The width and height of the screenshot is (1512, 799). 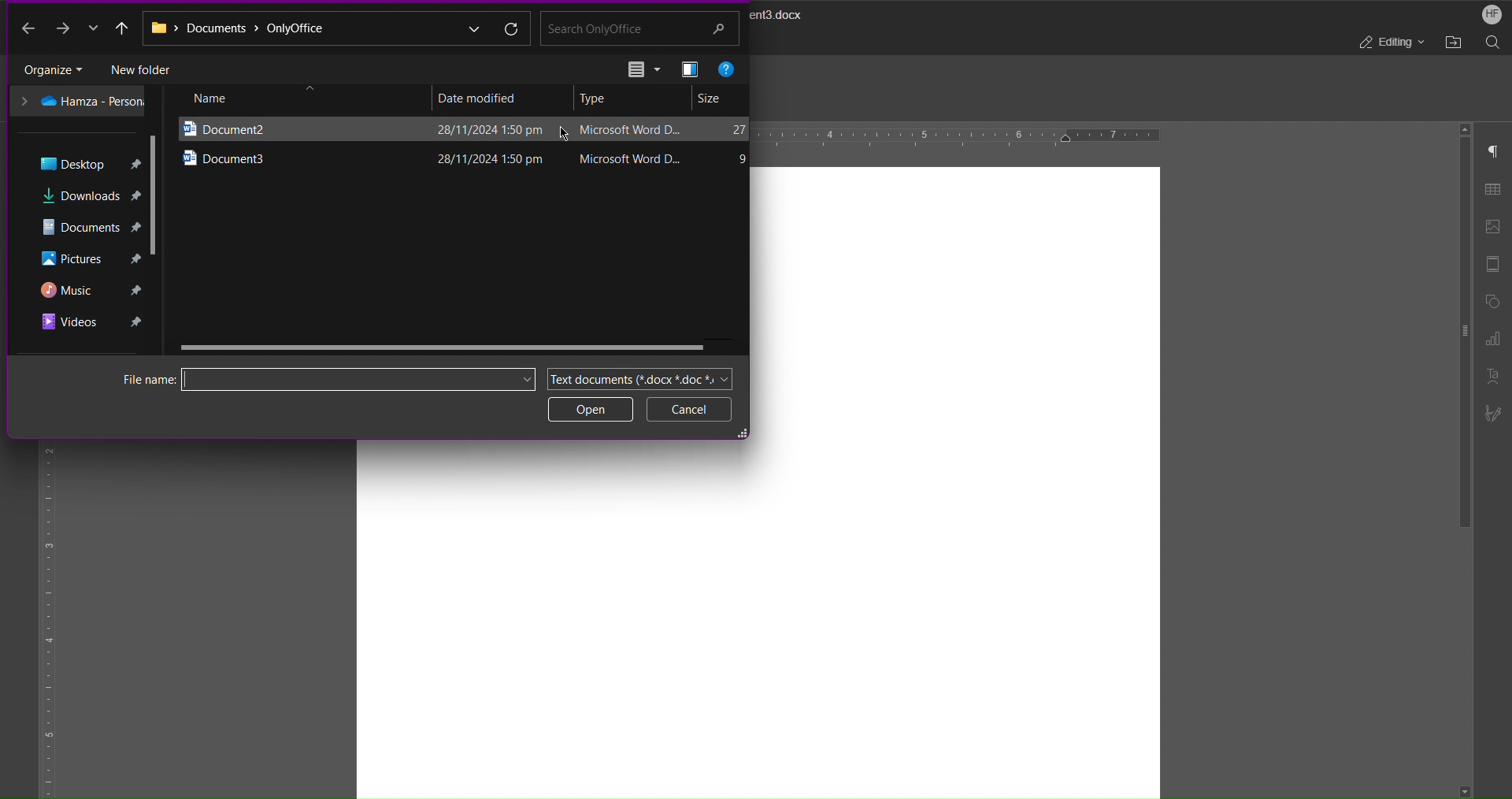 I want to click on Search Bar , so click(x=642, y=29).